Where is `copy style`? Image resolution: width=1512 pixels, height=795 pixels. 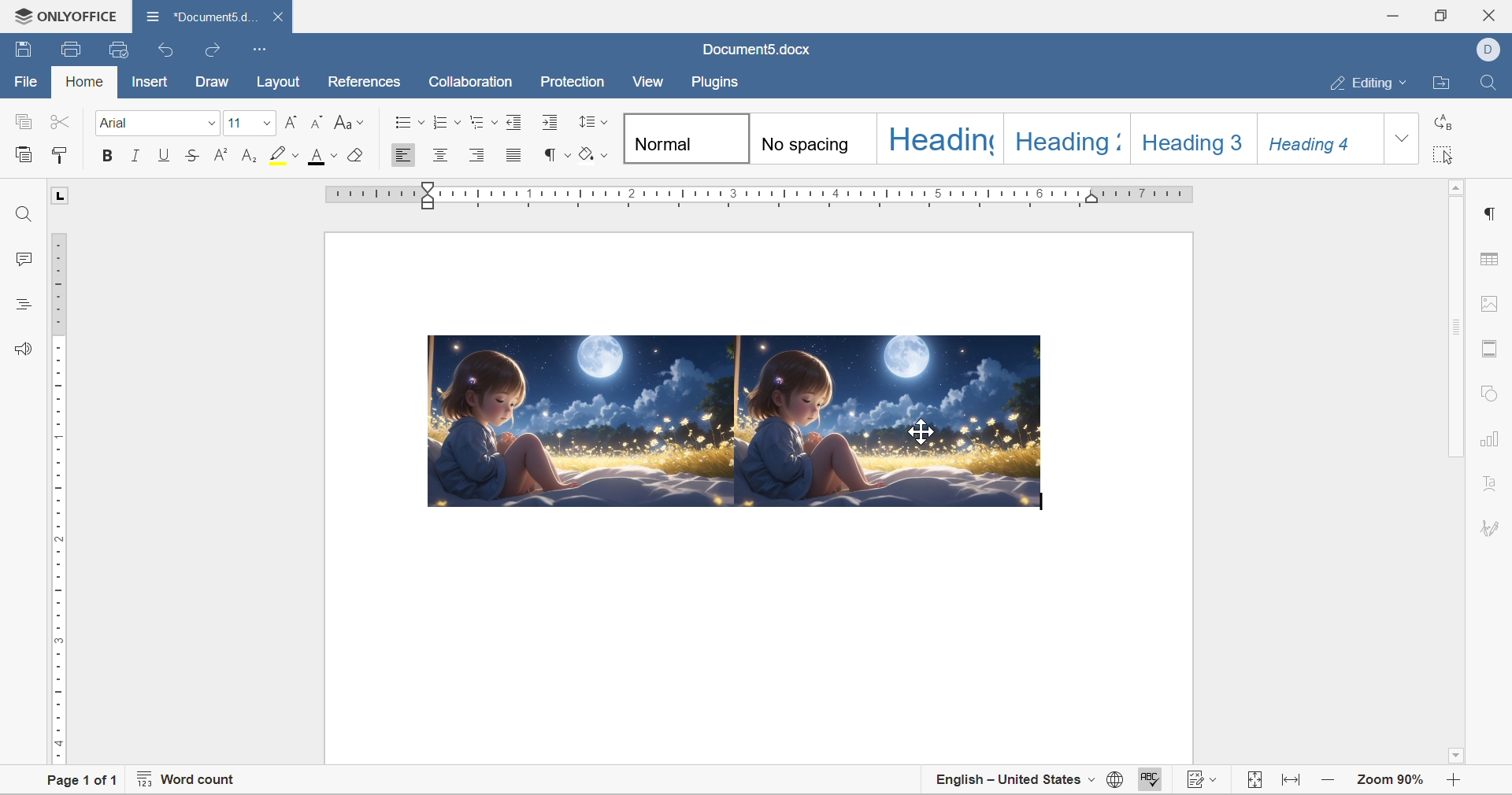 copy style is located at coordinates (60, 154).